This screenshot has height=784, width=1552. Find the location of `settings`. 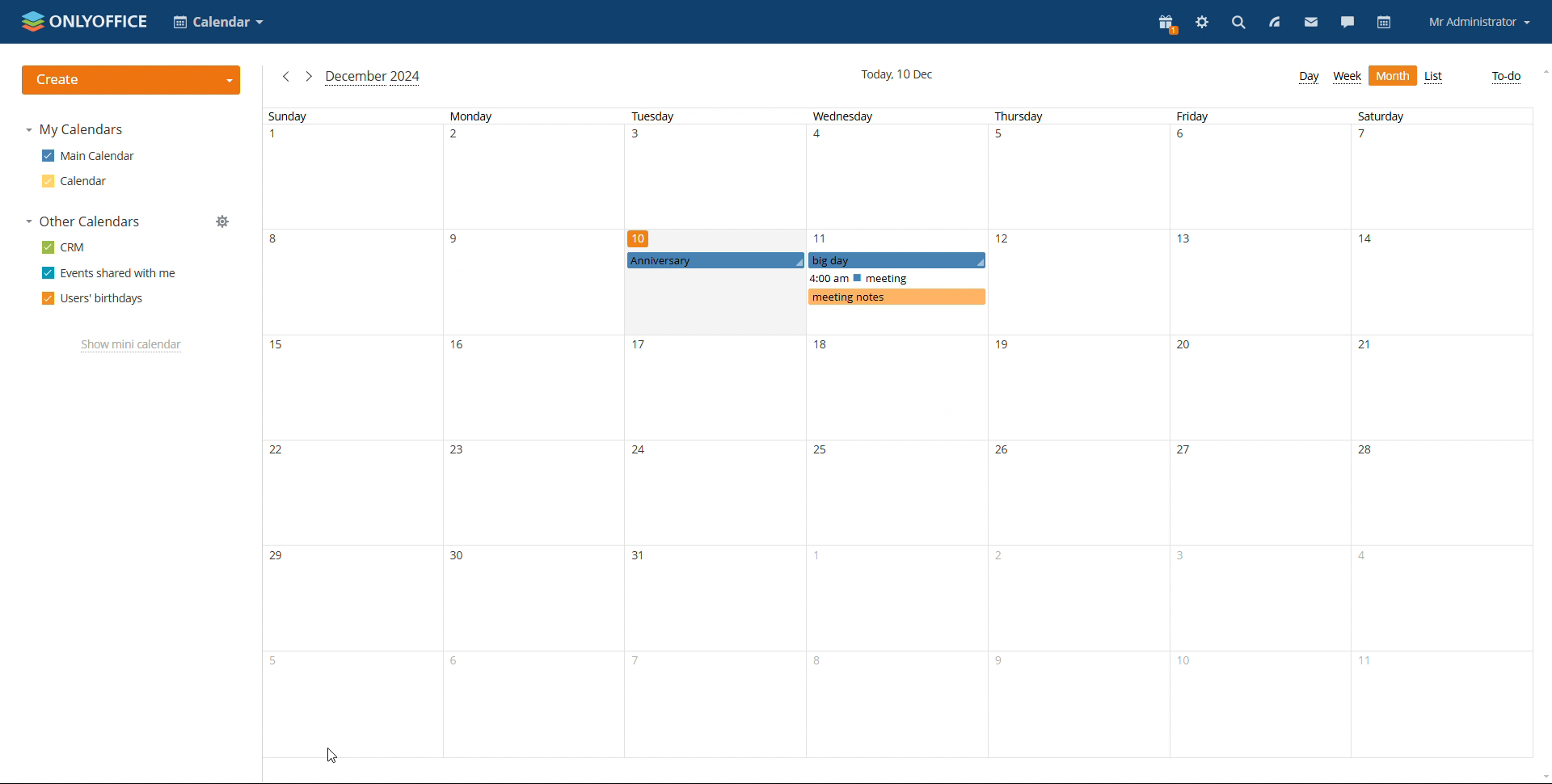

settings is located at coordinates (1200, 22).